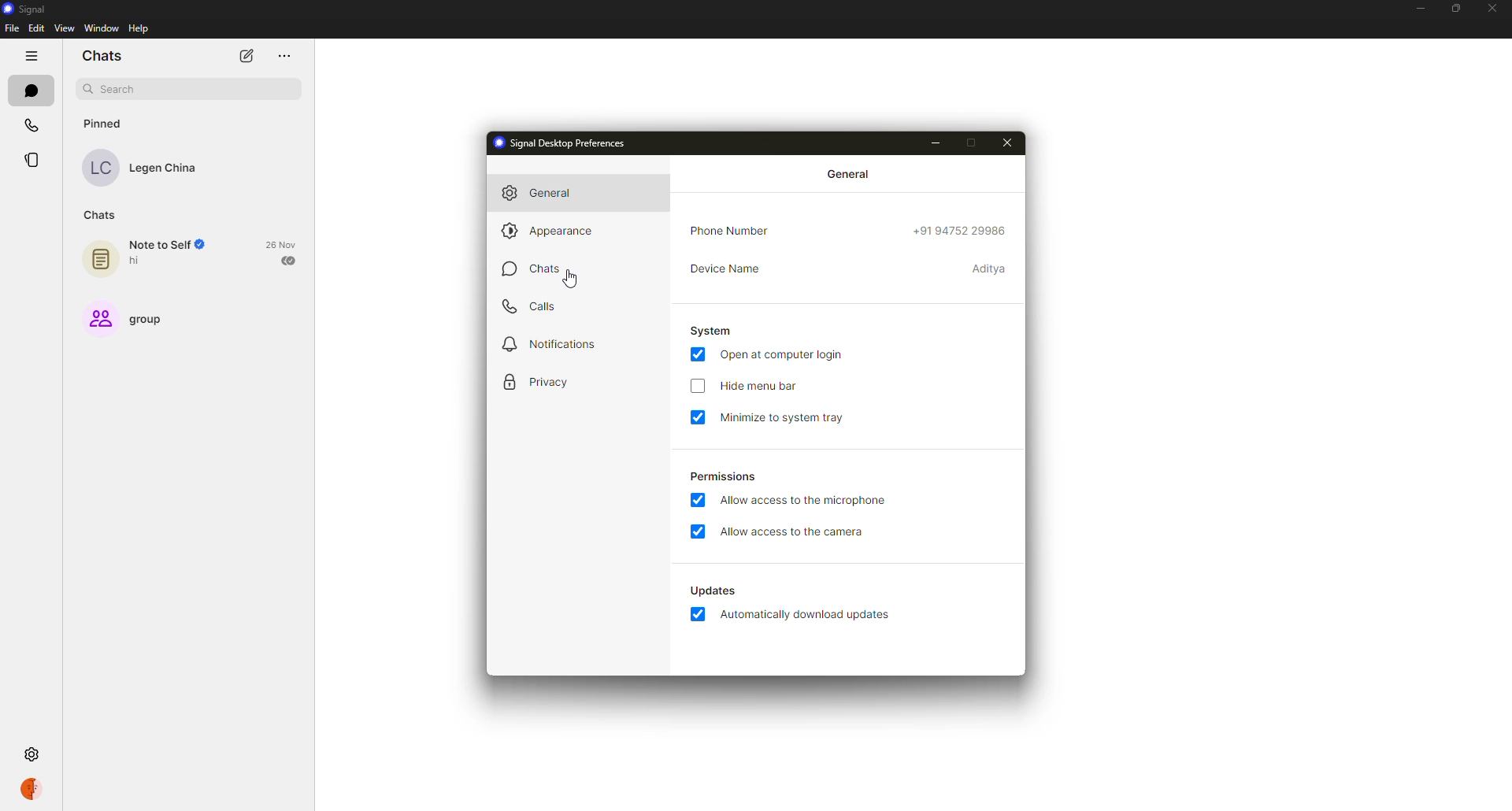 This screenshot has width=1512, height=811. I want to click on minimize, so click(940, 143).